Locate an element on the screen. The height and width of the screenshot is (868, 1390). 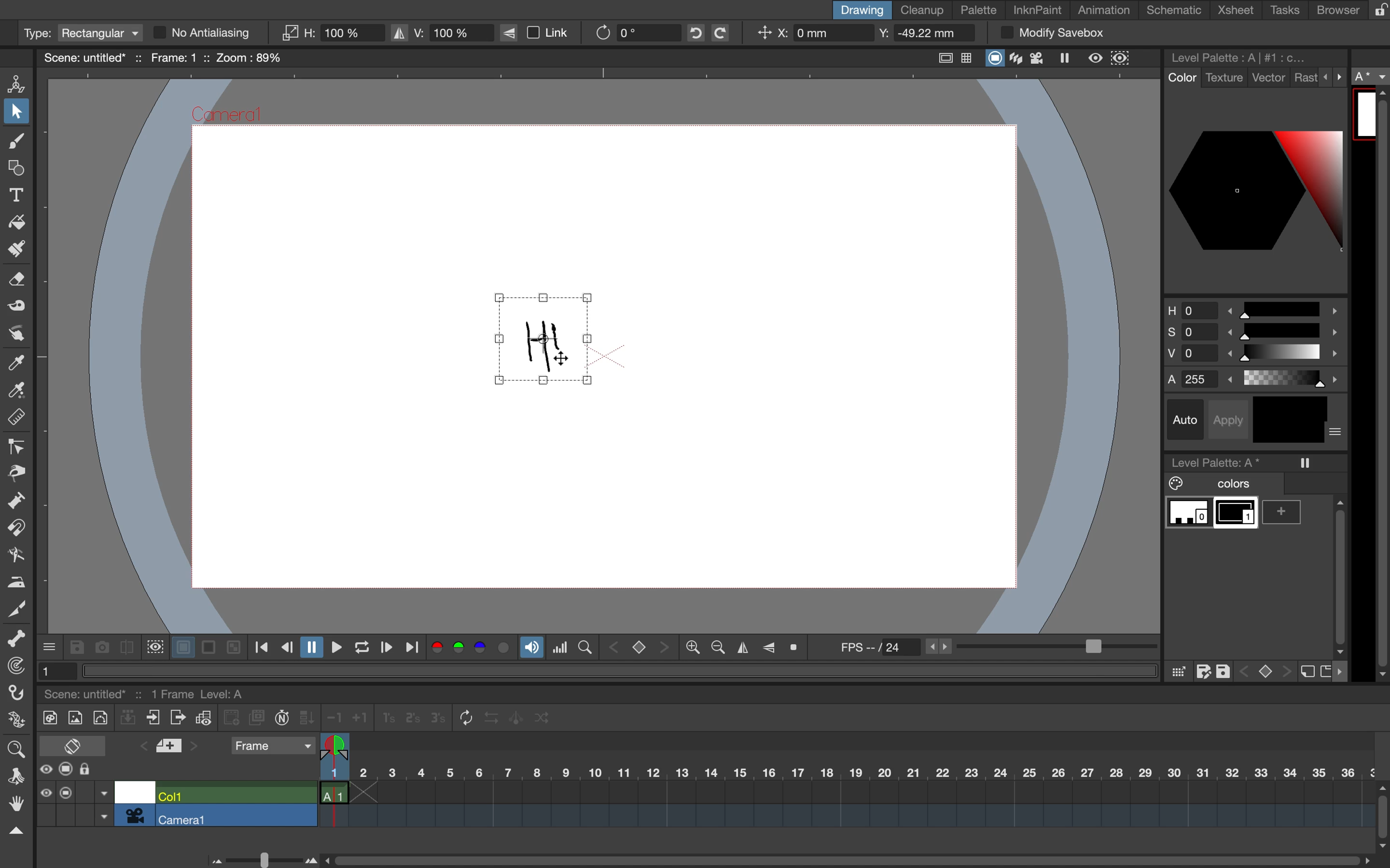
time line bar scale is located at coordinates (259, 858).